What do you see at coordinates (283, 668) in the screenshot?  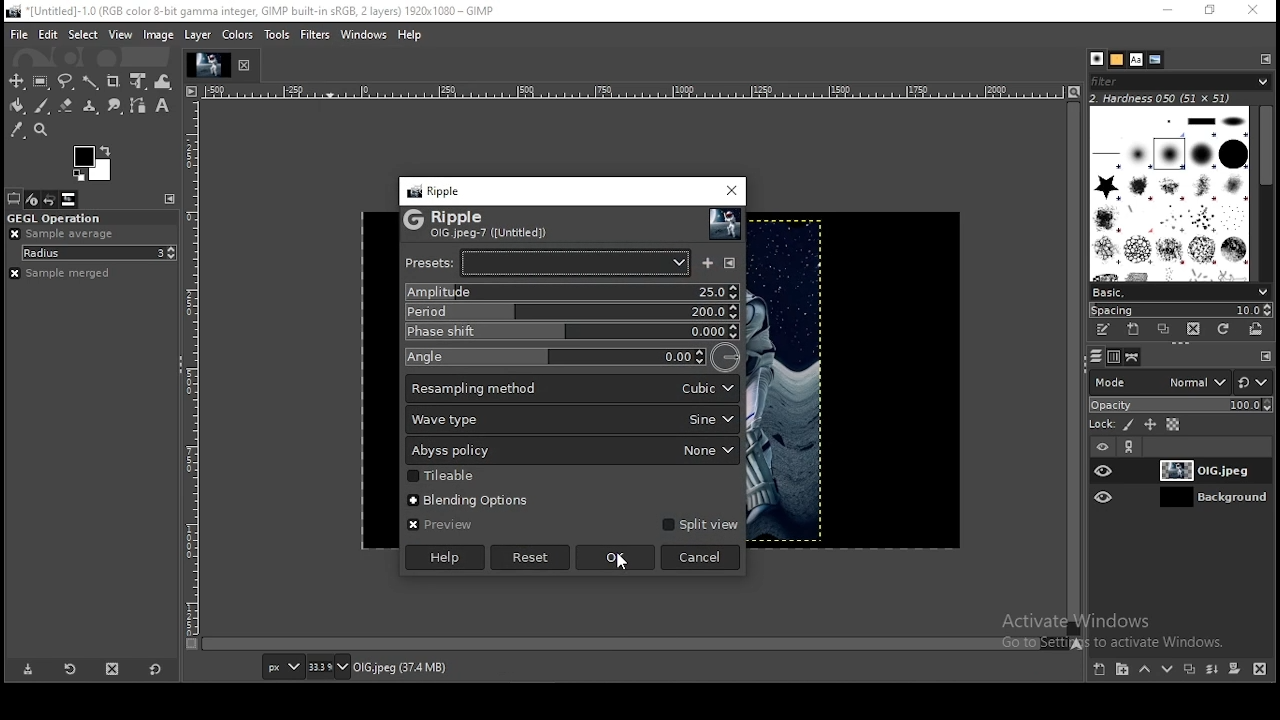 I see `units` at bounding box center [283, 668].